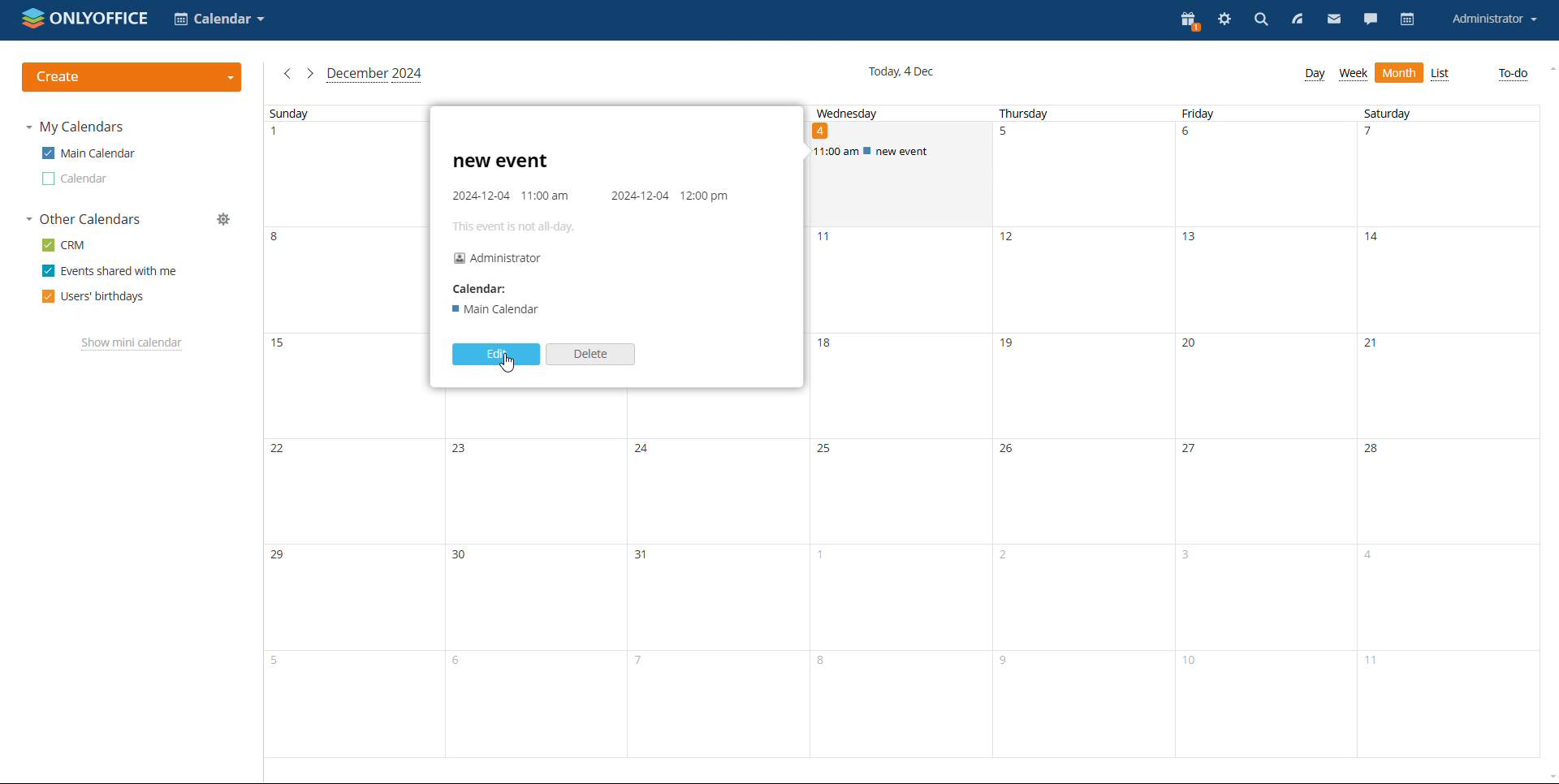 The width and height of the screenshot is (1559, 784). I want to click on crm, so click(64, 244).